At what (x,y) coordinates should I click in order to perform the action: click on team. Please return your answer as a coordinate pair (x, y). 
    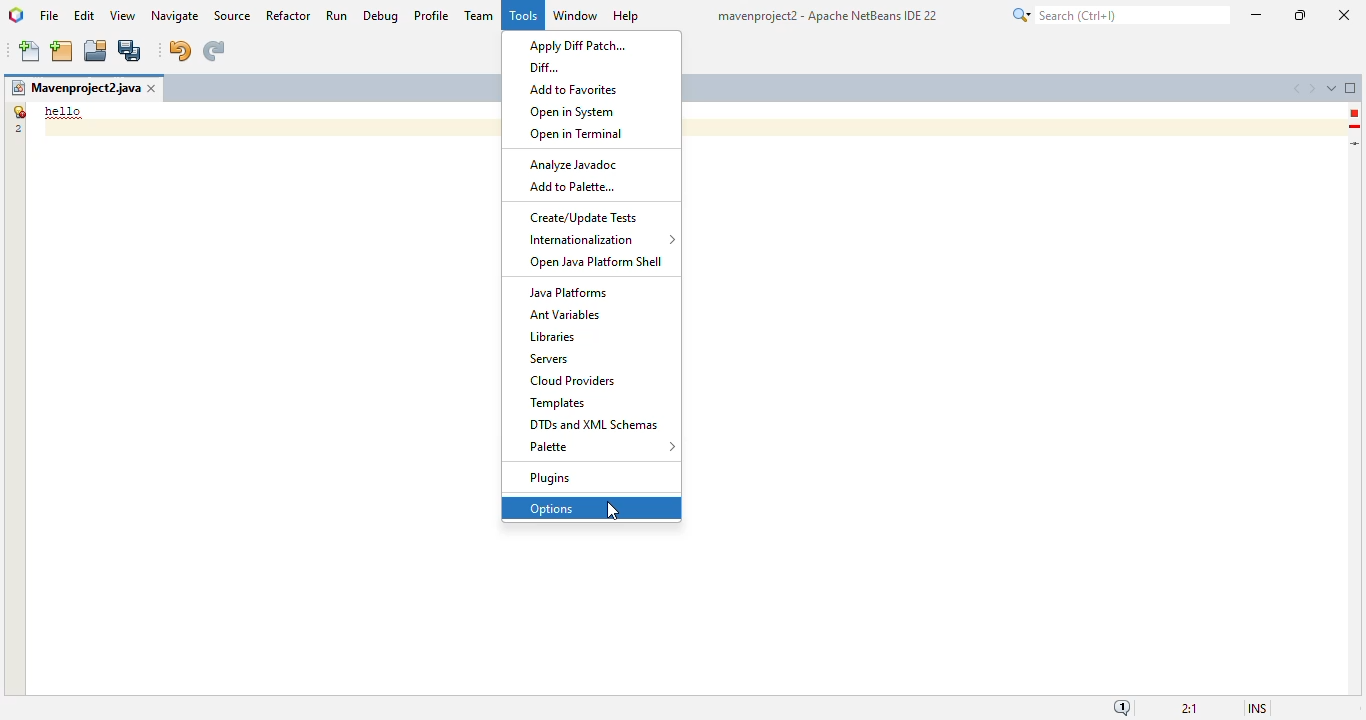
    Looking at the image, I should click on (479, 15).